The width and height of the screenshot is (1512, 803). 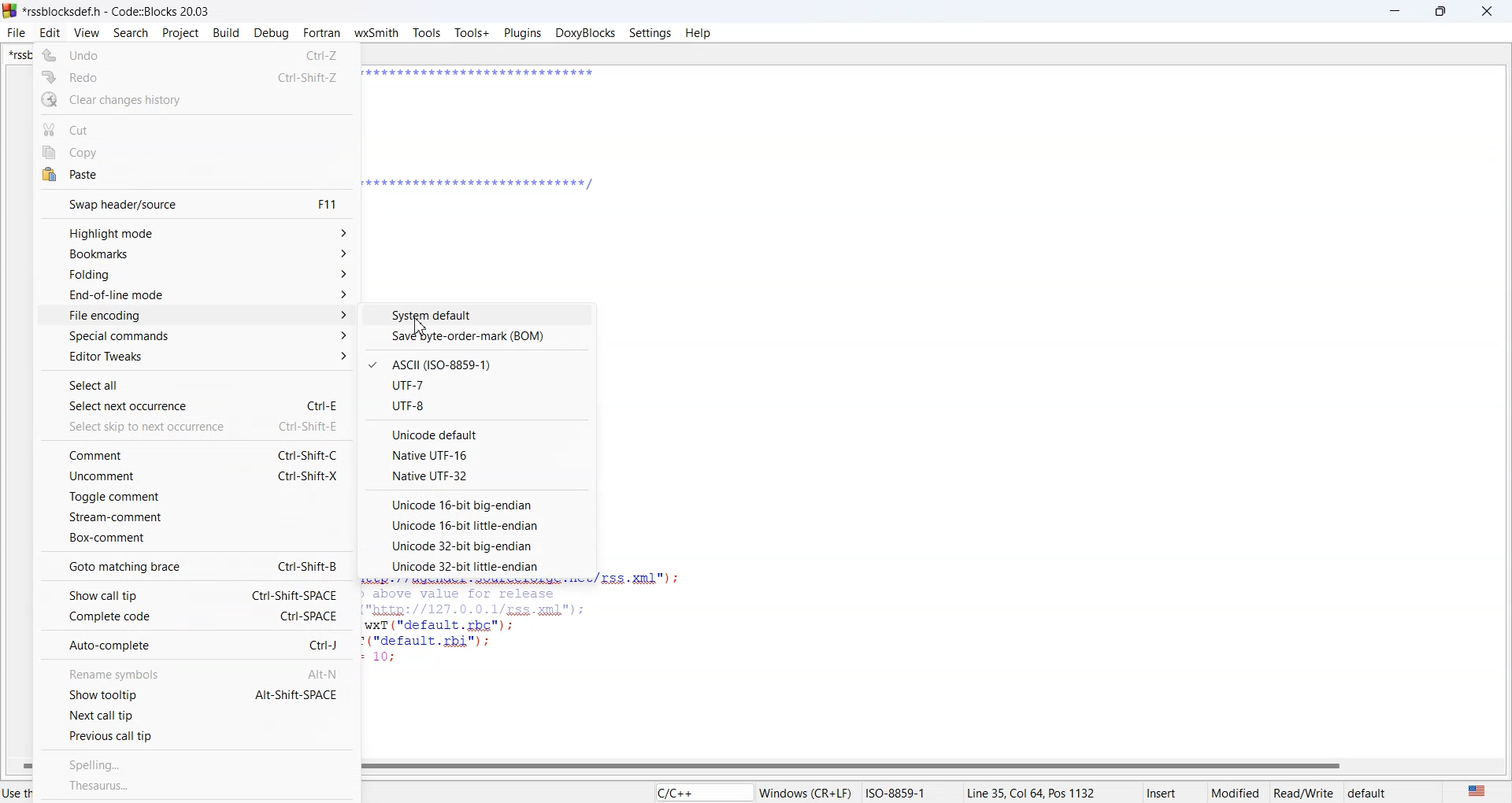 I want to click on Next call tip, so click(x=195, y=713).